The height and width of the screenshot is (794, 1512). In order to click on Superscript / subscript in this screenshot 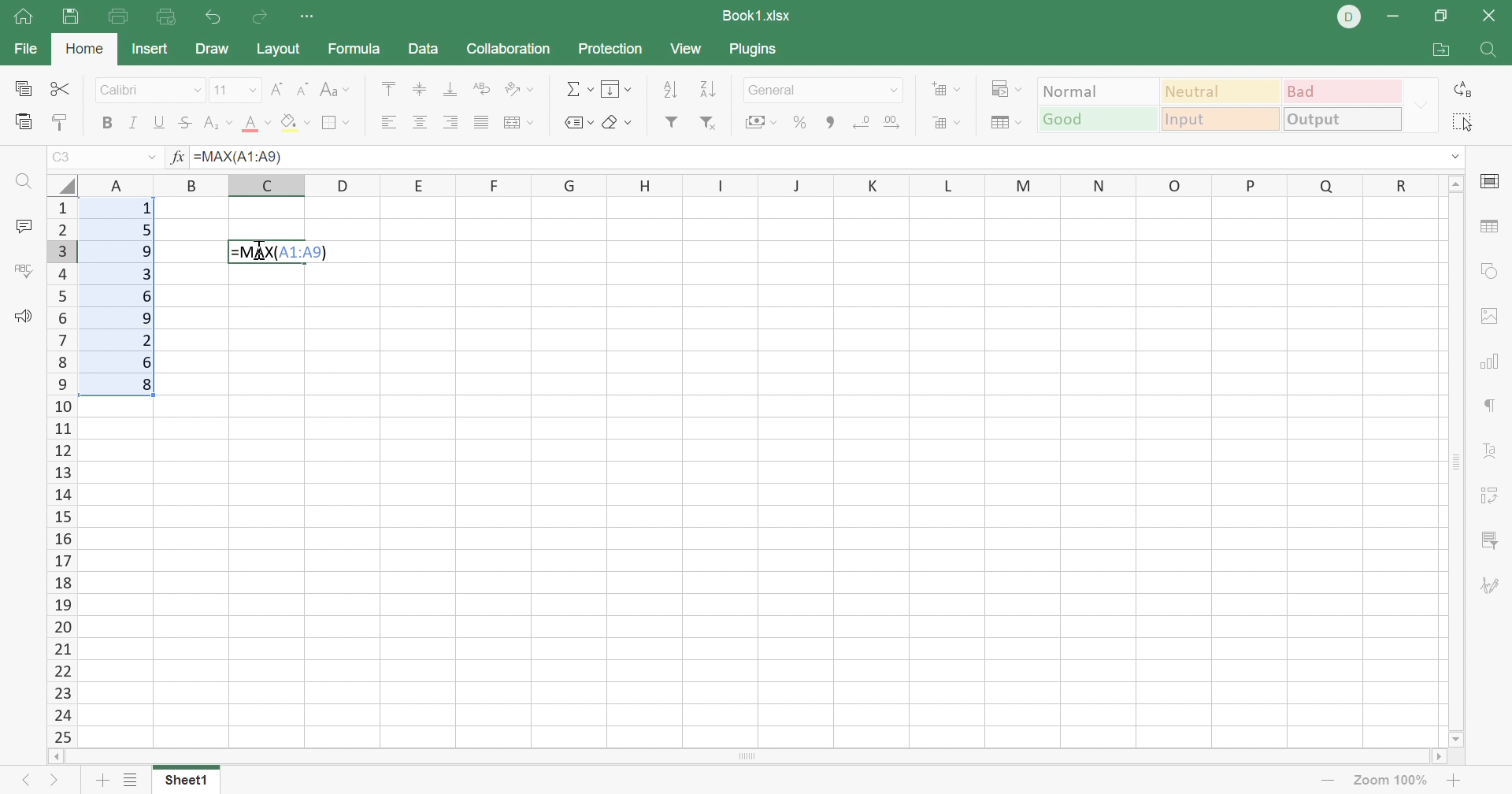, I will do `click(215, 124)`.